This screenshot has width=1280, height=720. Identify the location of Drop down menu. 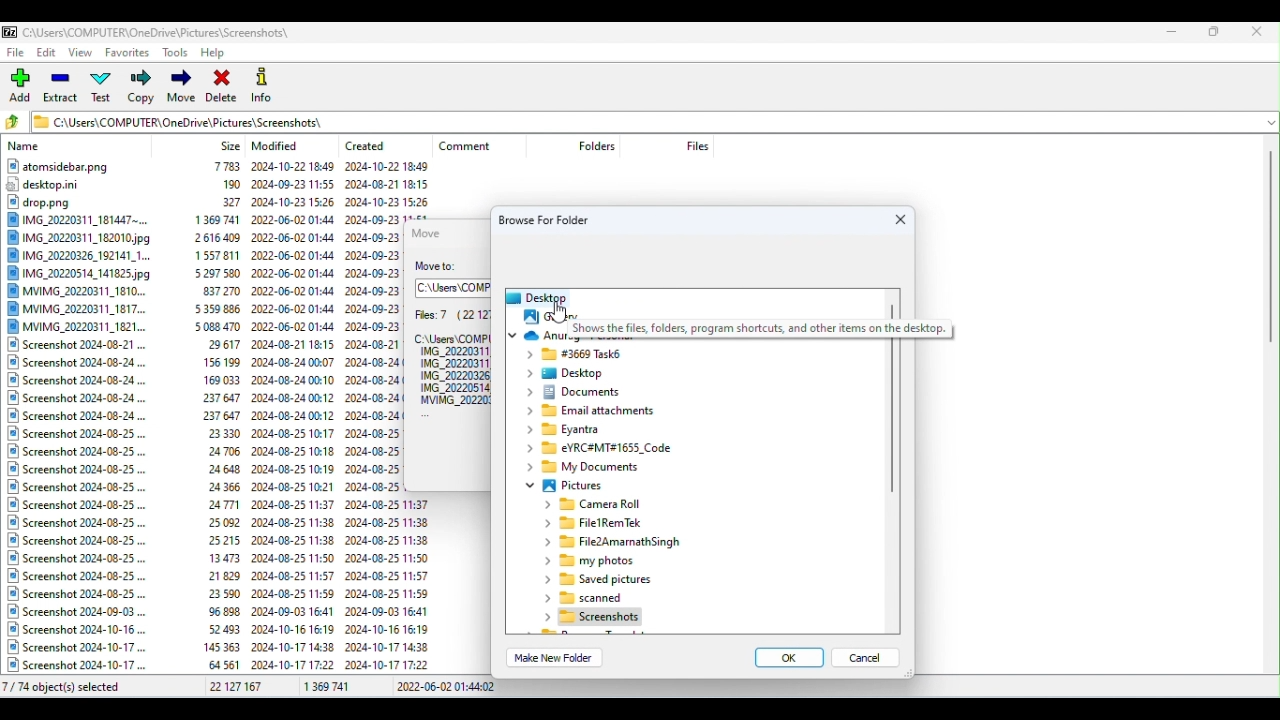
(1269, 121).